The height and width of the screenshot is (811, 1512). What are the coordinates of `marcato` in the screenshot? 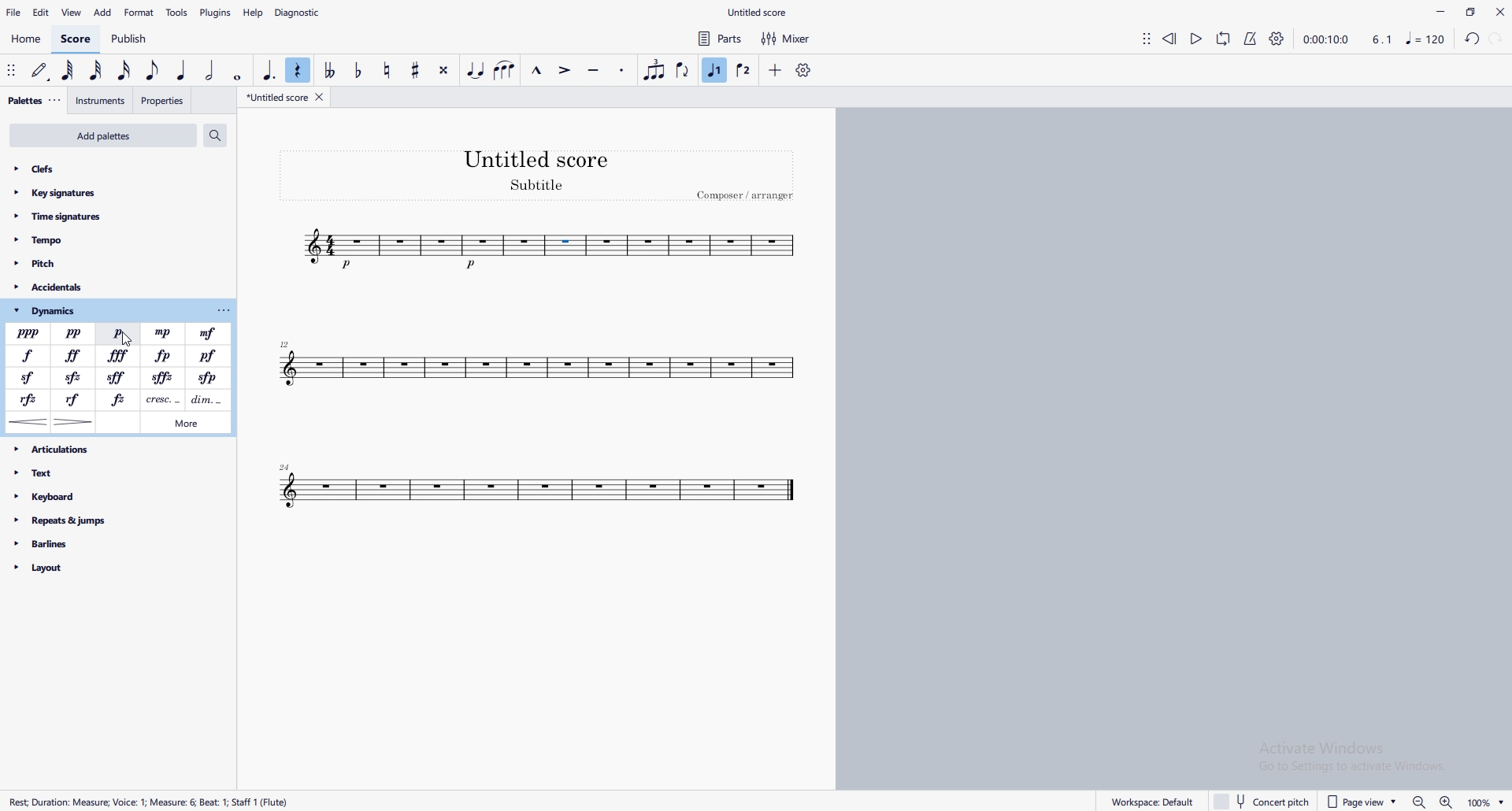 It's located at (538, 69).